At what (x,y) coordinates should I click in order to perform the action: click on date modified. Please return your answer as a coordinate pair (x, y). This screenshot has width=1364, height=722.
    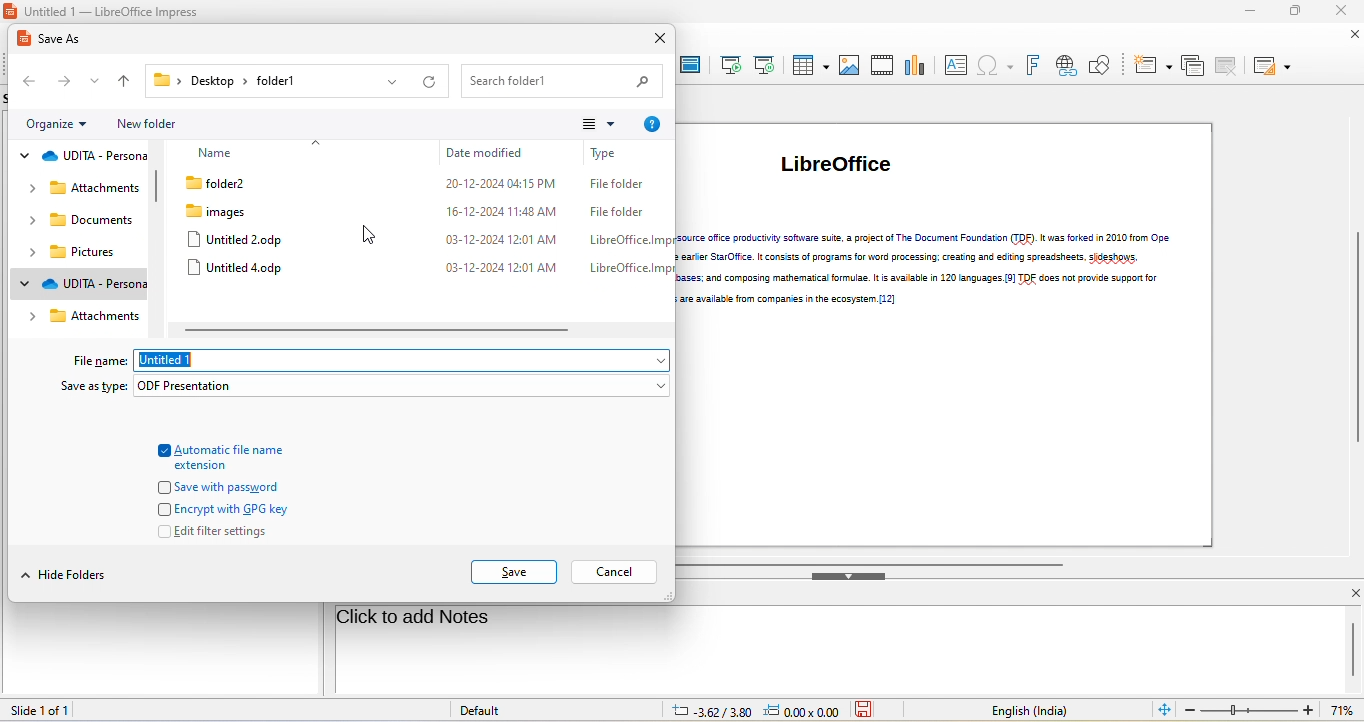
    Looking at the image, I should click on (493, 151).